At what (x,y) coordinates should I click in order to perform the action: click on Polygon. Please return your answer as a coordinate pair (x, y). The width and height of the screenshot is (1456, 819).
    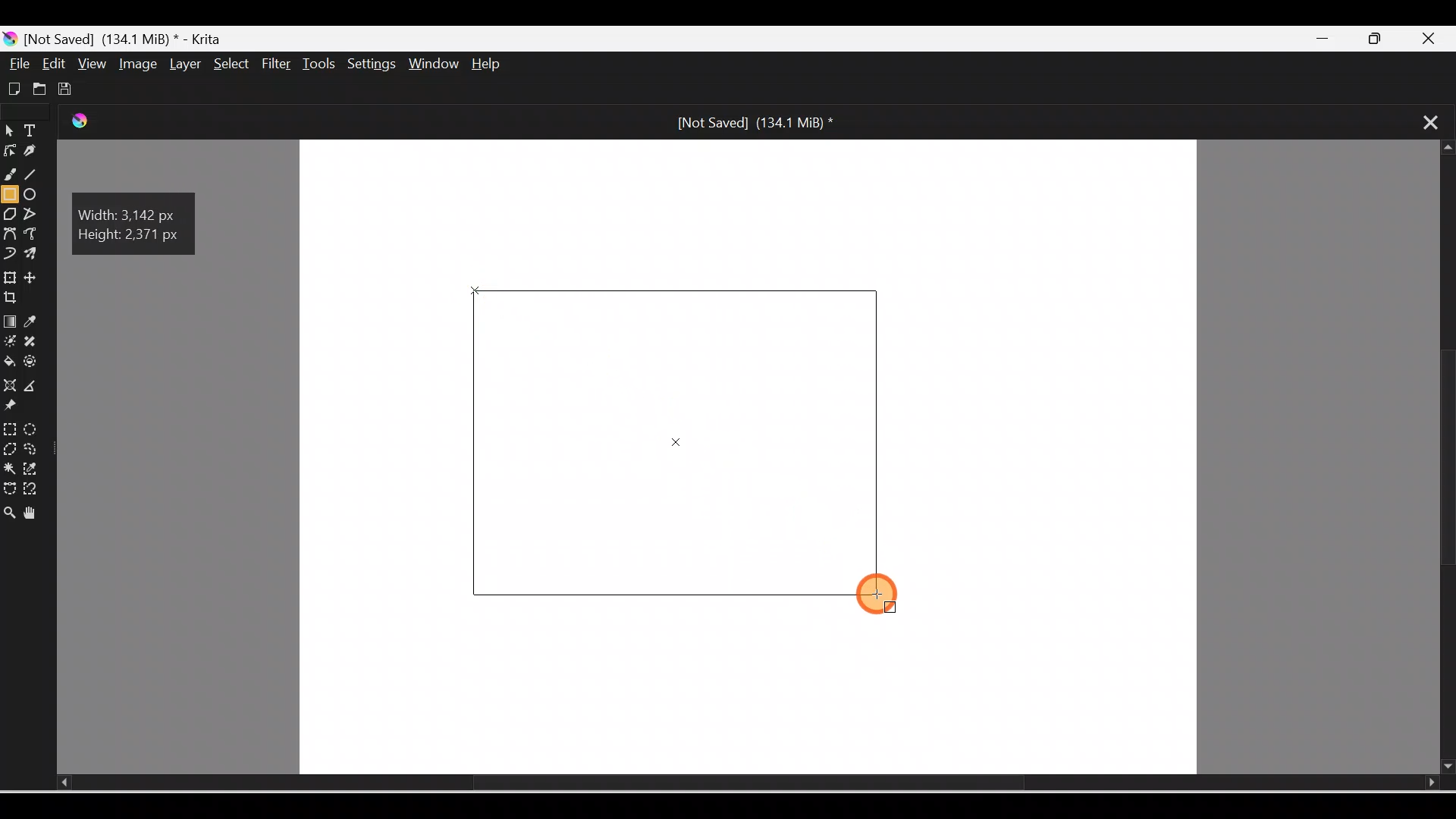
    Looking at the image, I should click on (9, 214).